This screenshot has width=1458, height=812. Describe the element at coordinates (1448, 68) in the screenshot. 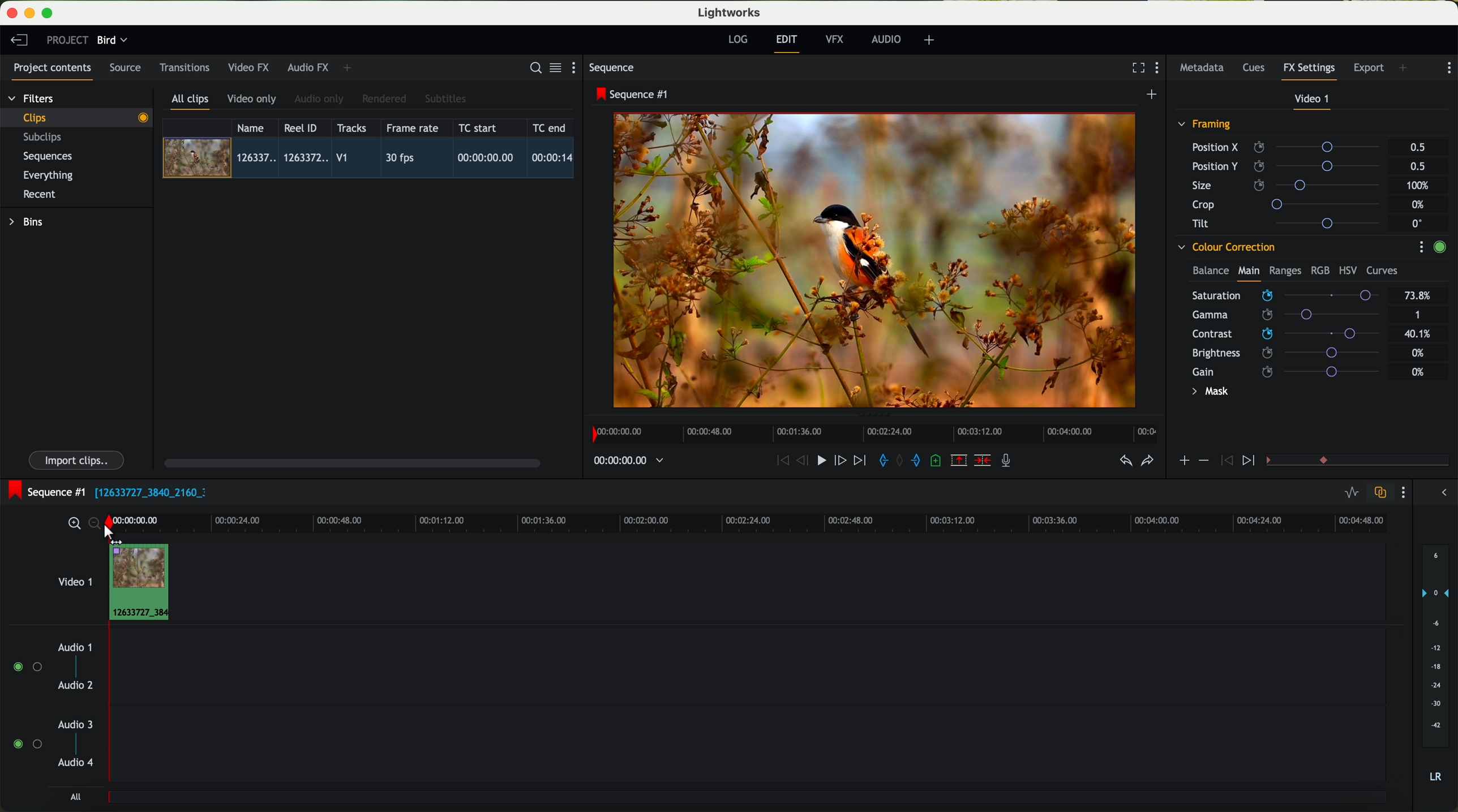

I see `show settings menu` at that location.